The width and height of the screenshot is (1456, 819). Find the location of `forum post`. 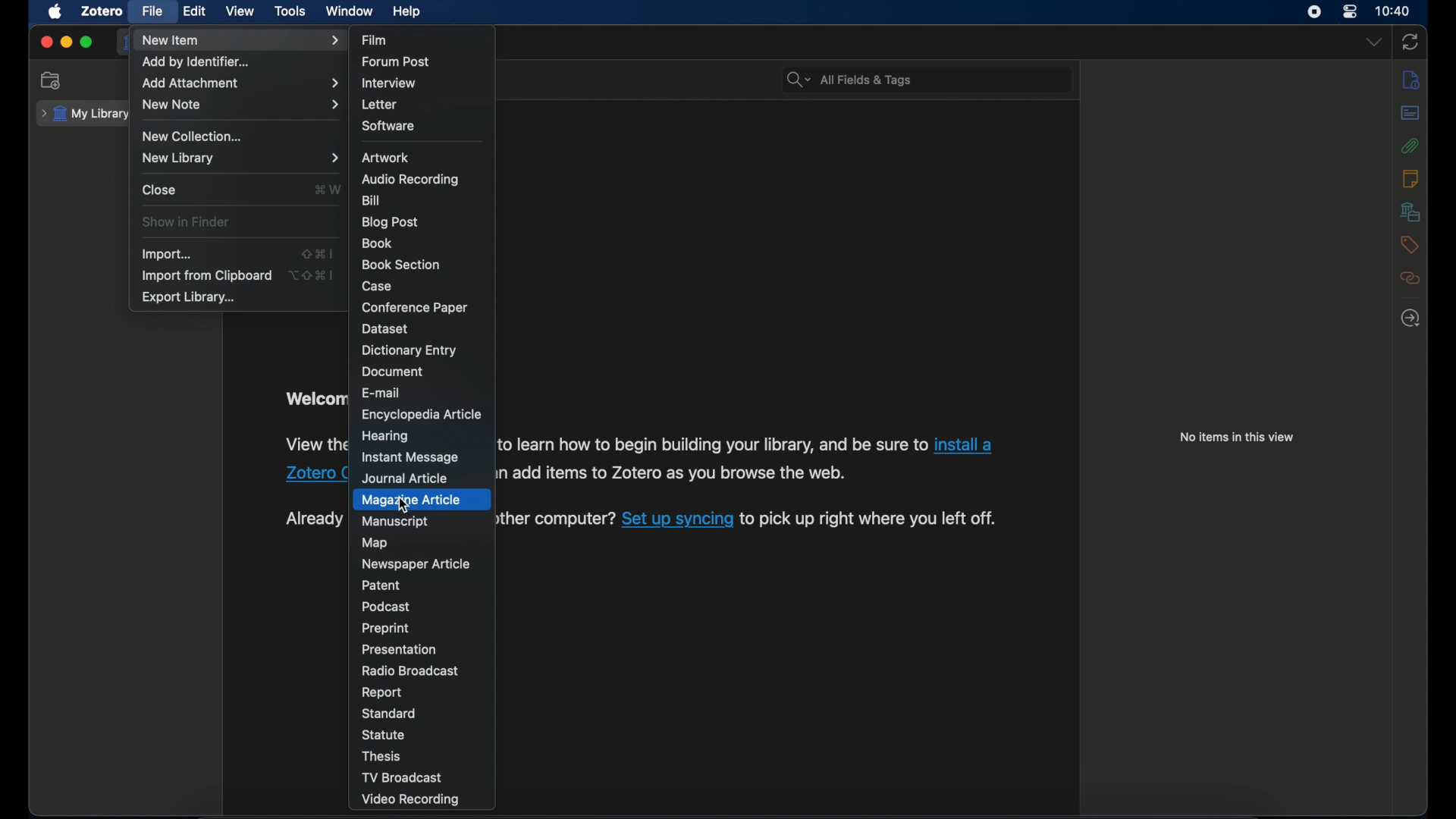

forum post is located at coordinates (397, 61).